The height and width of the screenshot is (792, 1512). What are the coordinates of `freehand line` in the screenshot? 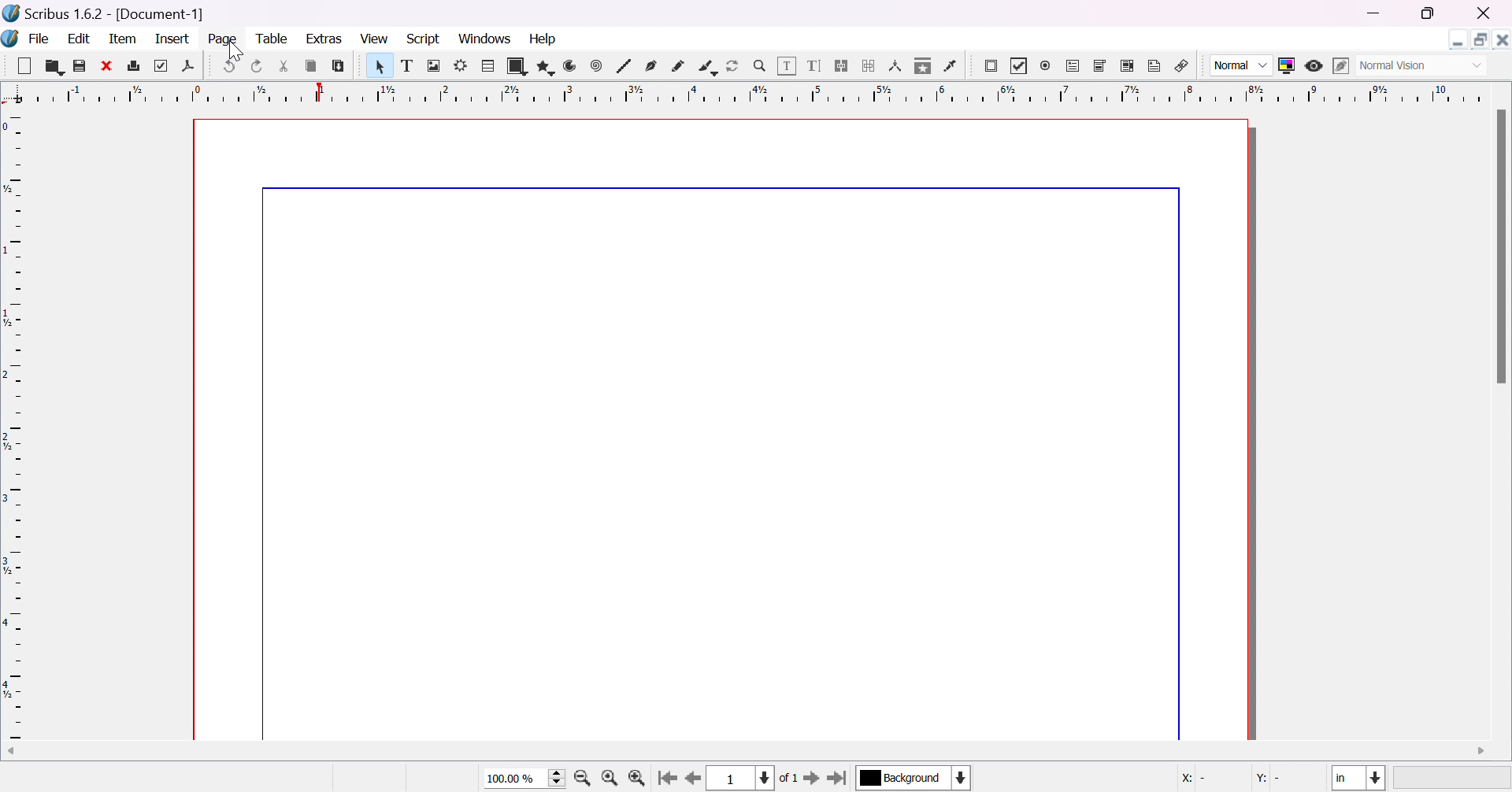 It's located at (681, 68).